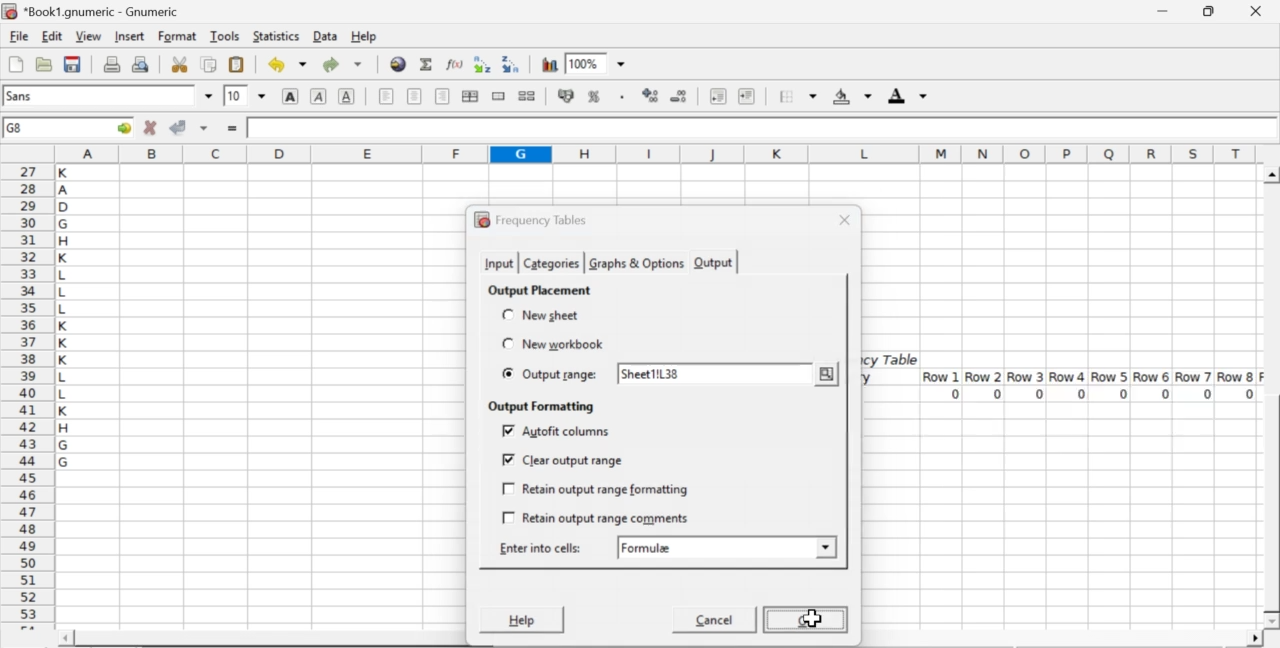 The image size is (1280, 648). I want to click on undo, so click(286, 65).